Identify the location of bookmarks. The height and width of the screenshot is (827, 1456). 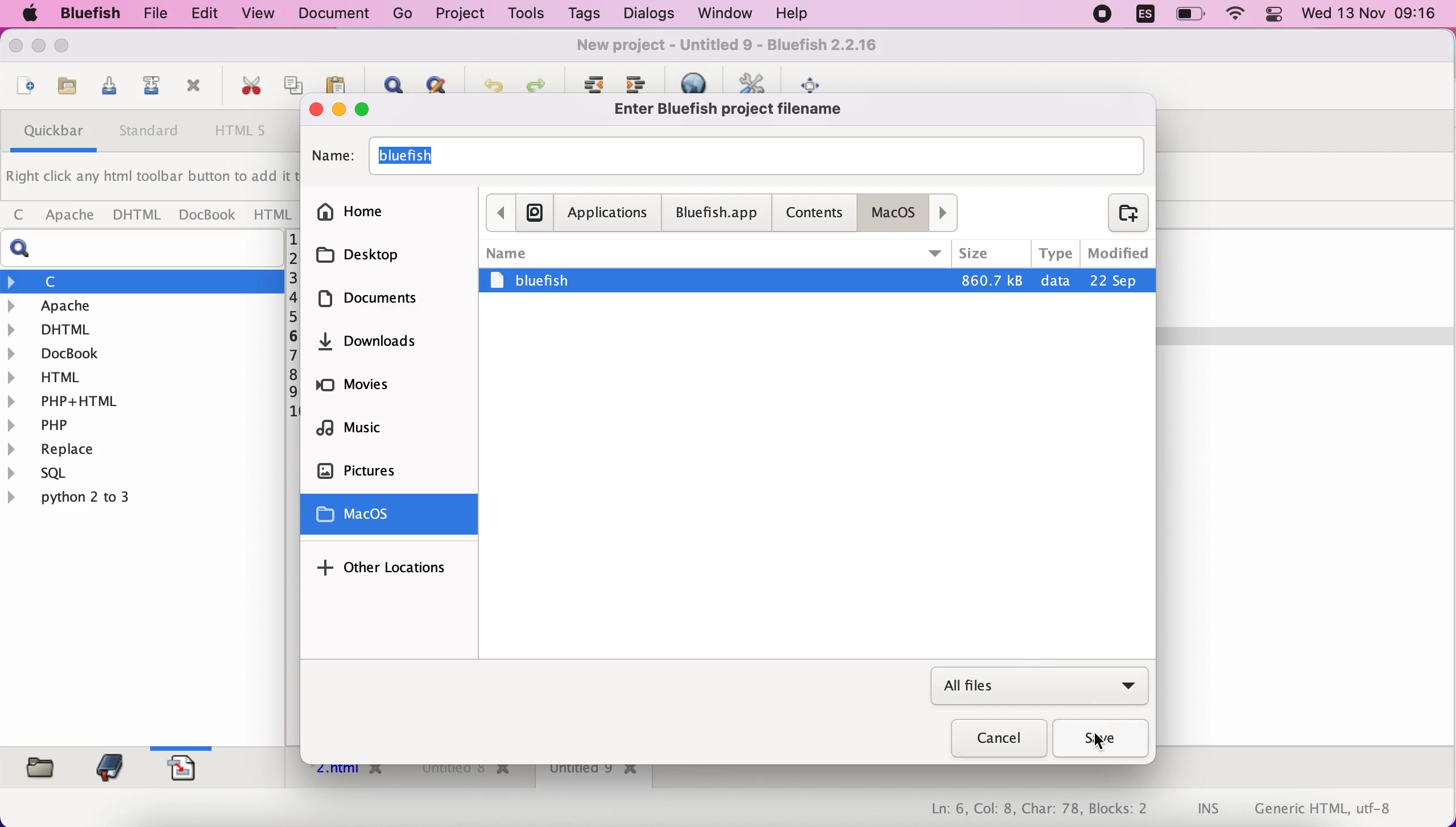
(106, 767).